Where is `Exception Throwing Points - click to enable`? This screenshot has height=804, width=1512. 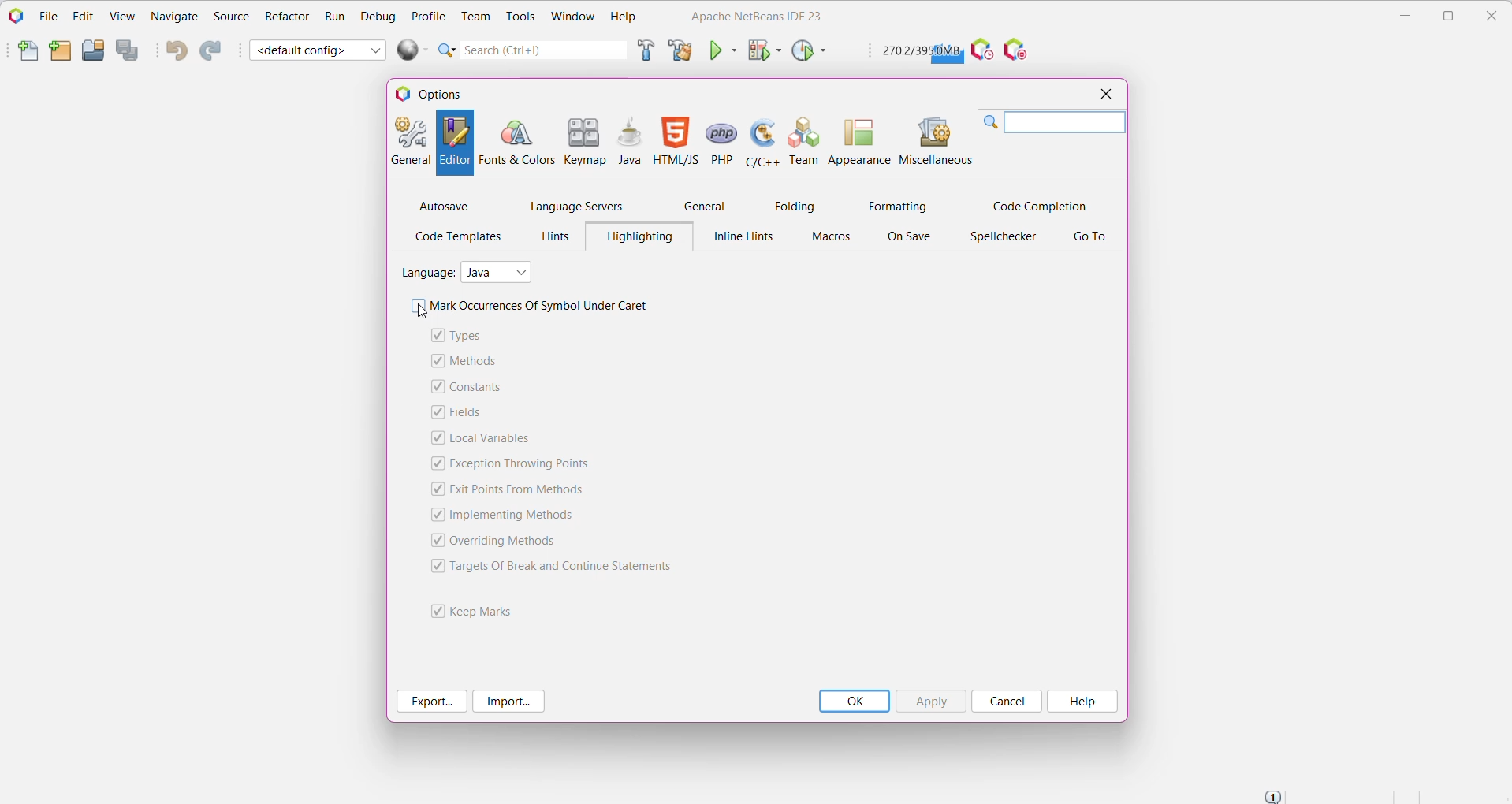 Exception Throwing Points - click to enable is located at coordinates (524, 464).